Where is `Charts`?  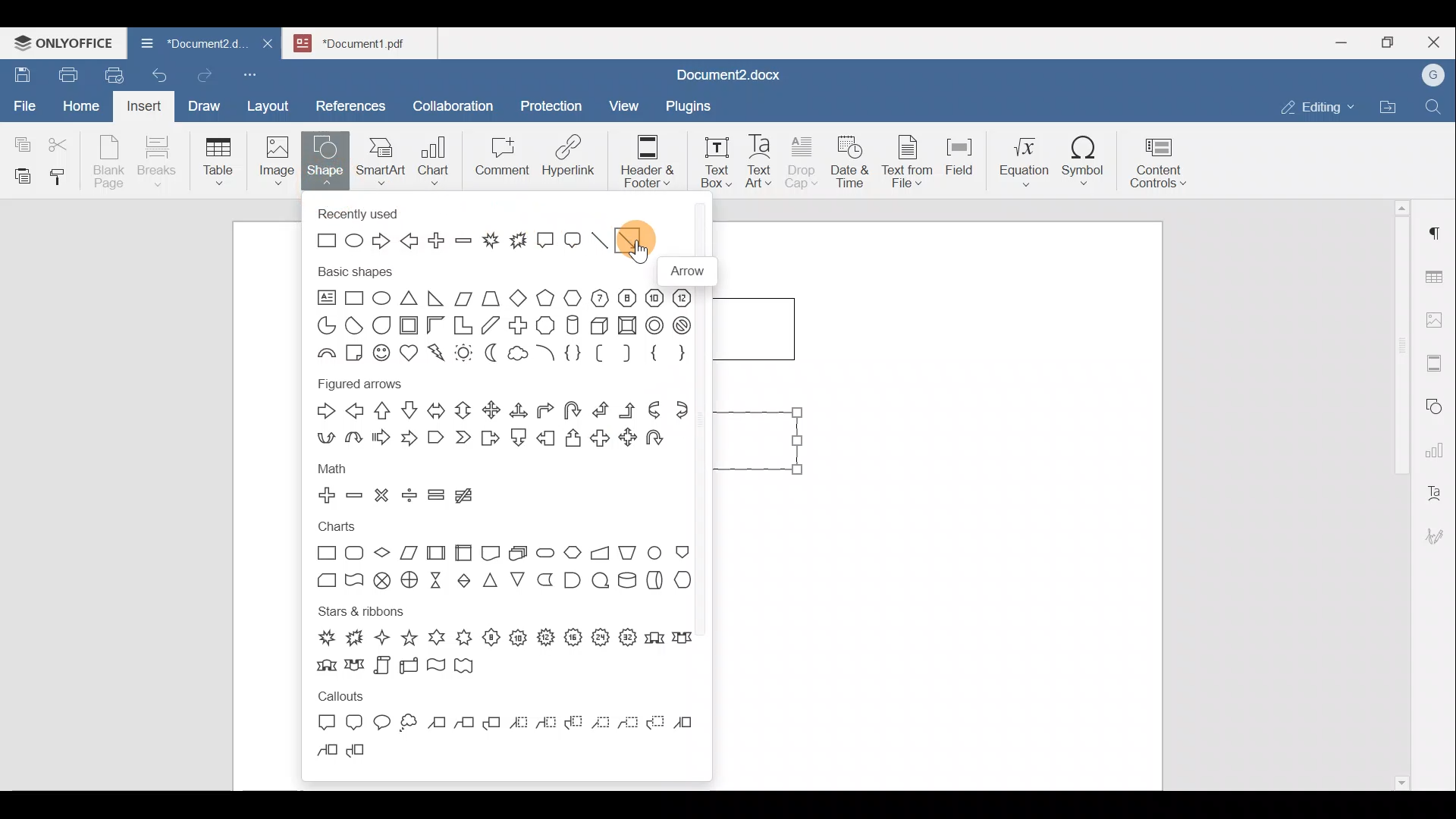 Charts is located at coordinates (500, 560).